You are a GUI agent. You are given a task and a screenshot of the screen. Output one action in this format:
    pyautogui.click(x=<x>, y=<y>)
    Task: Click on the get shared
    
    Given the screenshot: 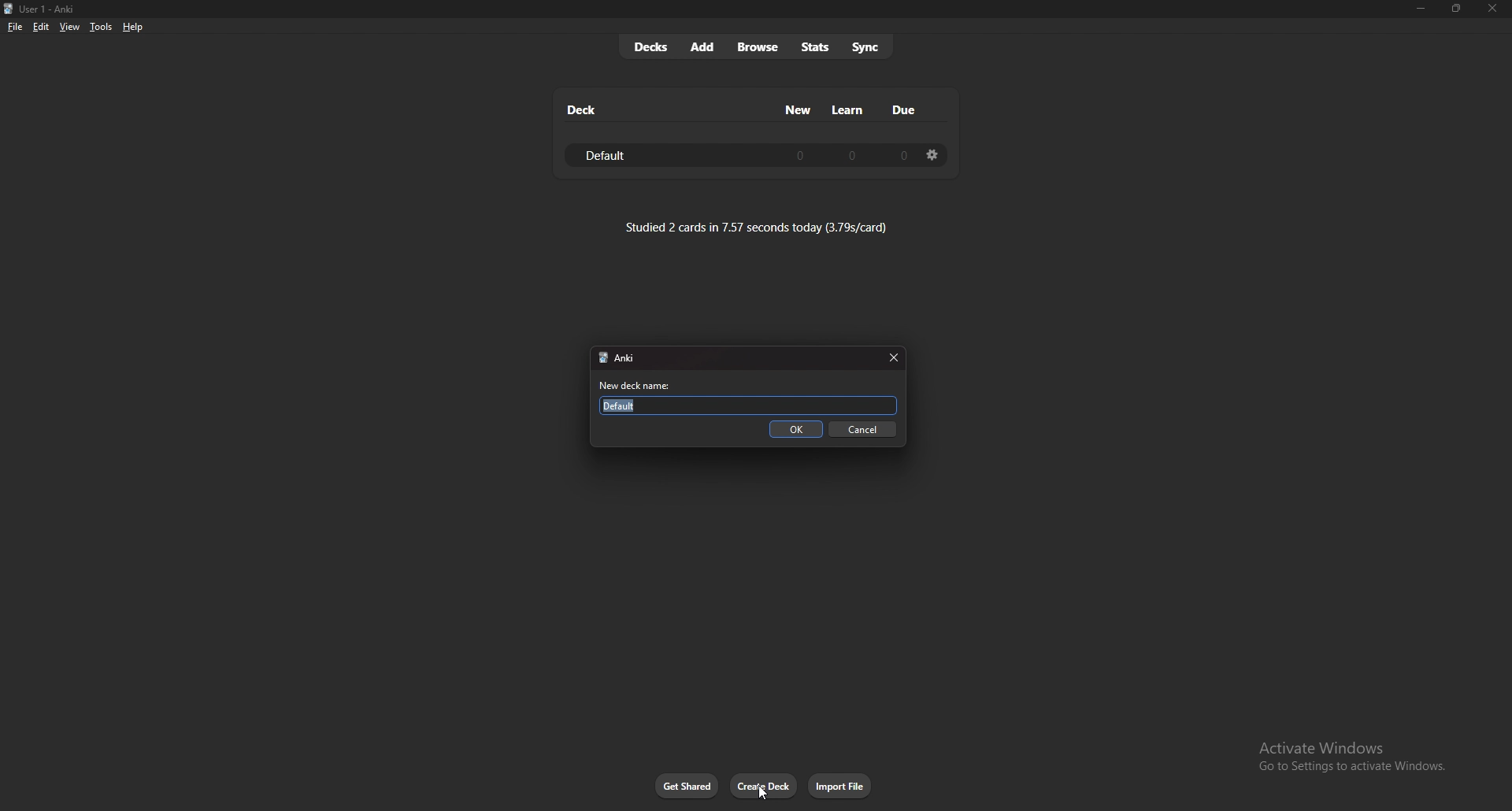 What is the action you would take?
    pyautogui.click(x=687, y=787)
    